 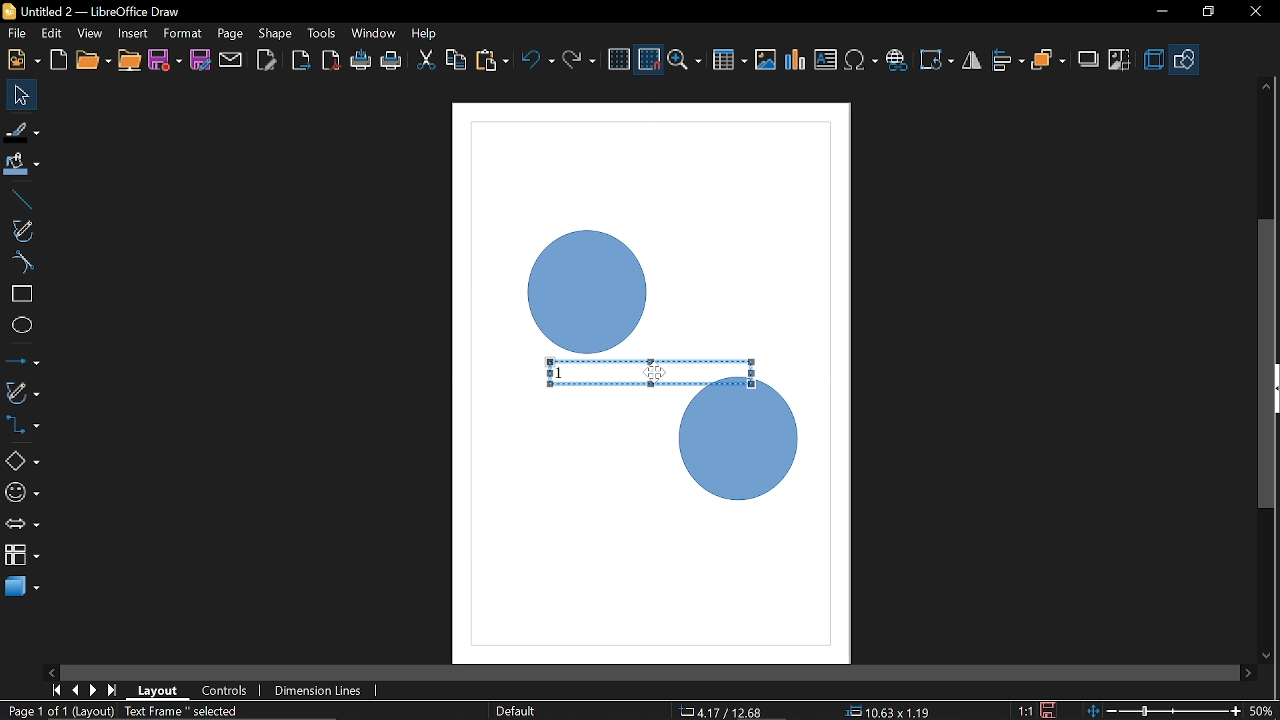 What do you see at coordinates (22, 363) in the screenshot?
I see `Lines and arrows` at bounding box center [22, 363].